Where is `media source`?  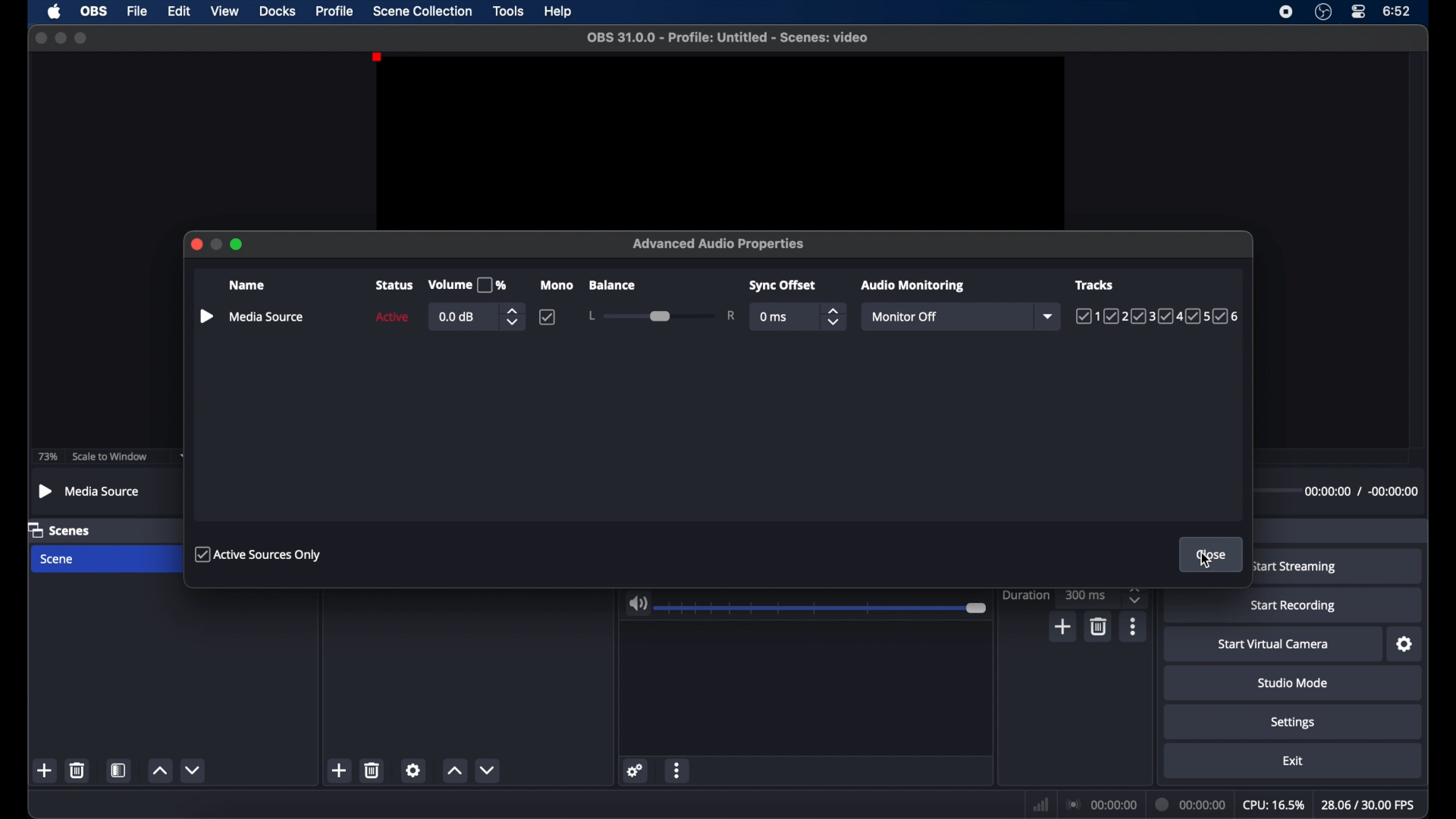
media source is located at coordinates (267, 317).